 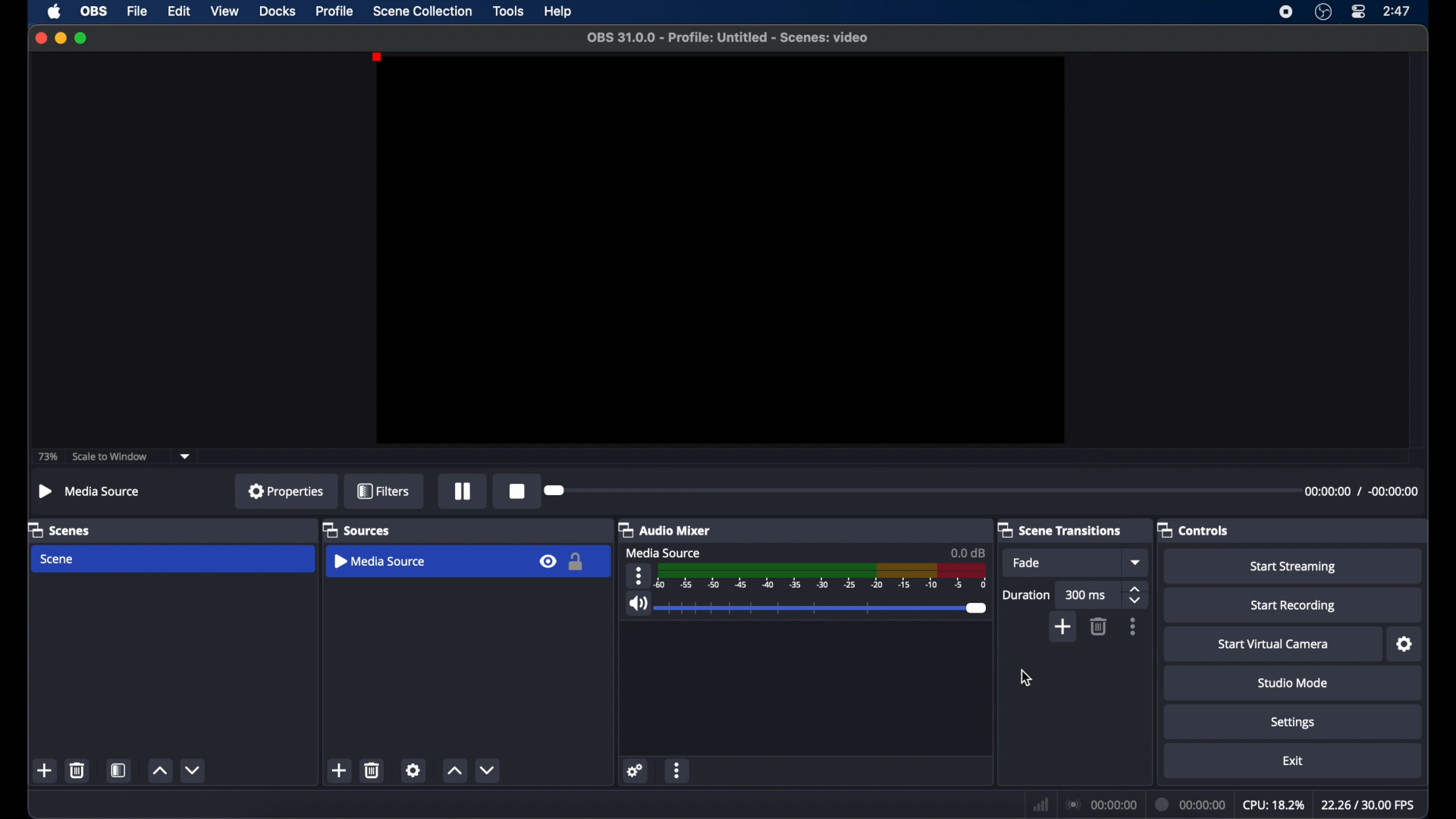 I want to click on decrement button, so click(x=487, y=770).